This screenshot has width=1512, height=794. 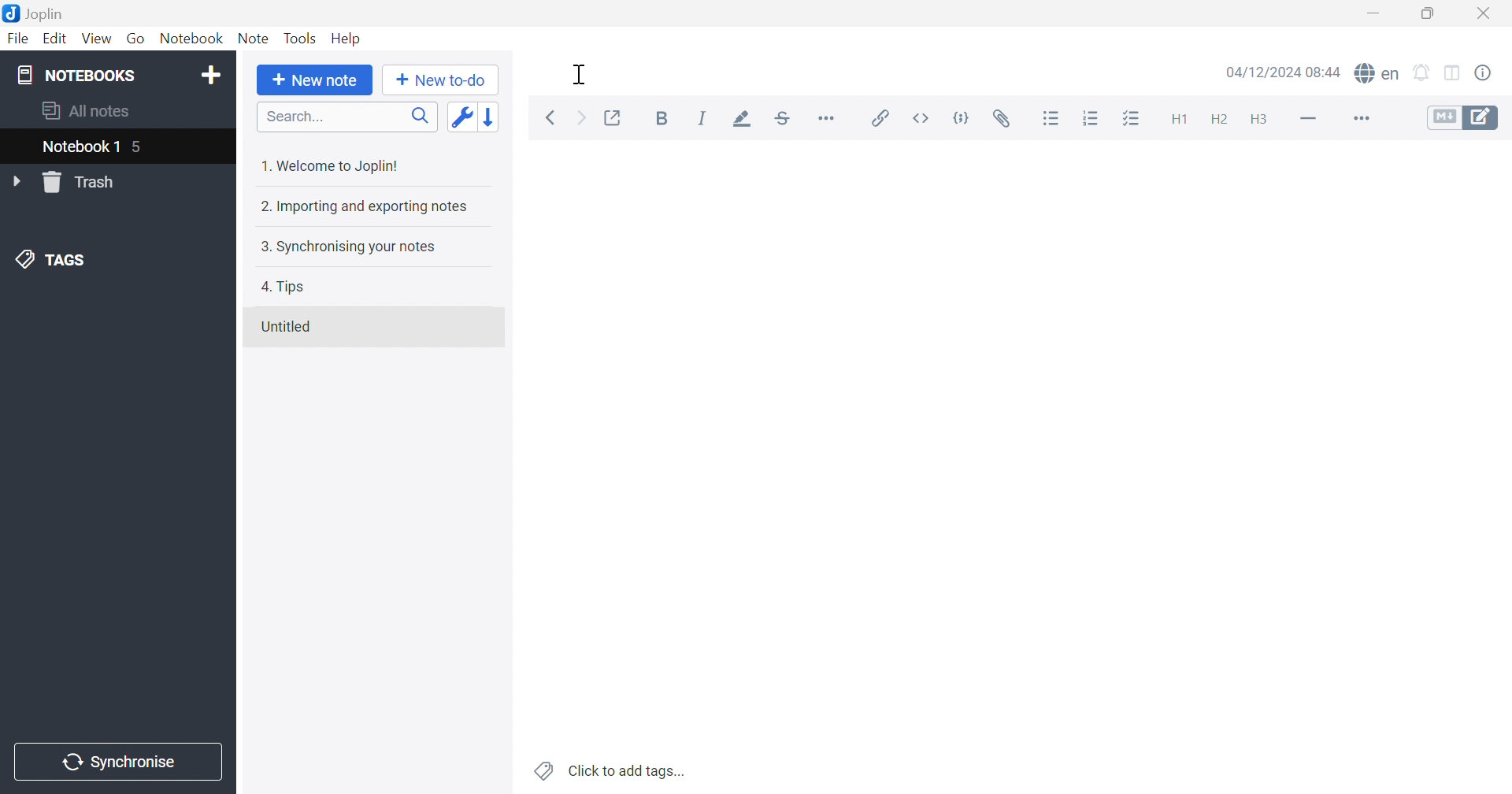 What do you see at coordinates (1380, 72) in the screenshot?
I see `Spell checker` at bounding box center [1380, 72].